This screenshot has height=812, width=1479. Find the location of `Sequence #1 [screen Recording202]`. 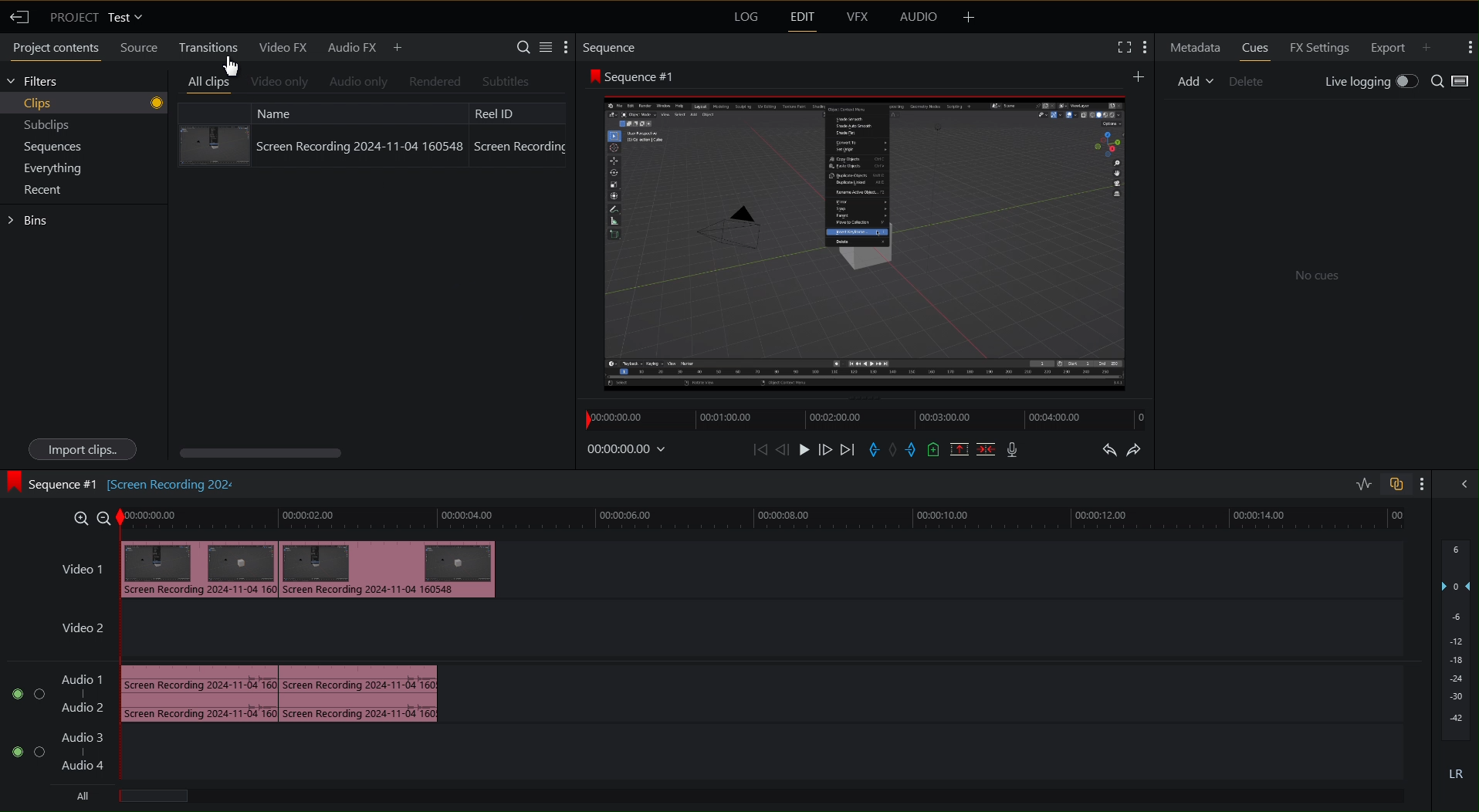

Sequence #1 [screen Recording202] is located at coordinates (121, 482).